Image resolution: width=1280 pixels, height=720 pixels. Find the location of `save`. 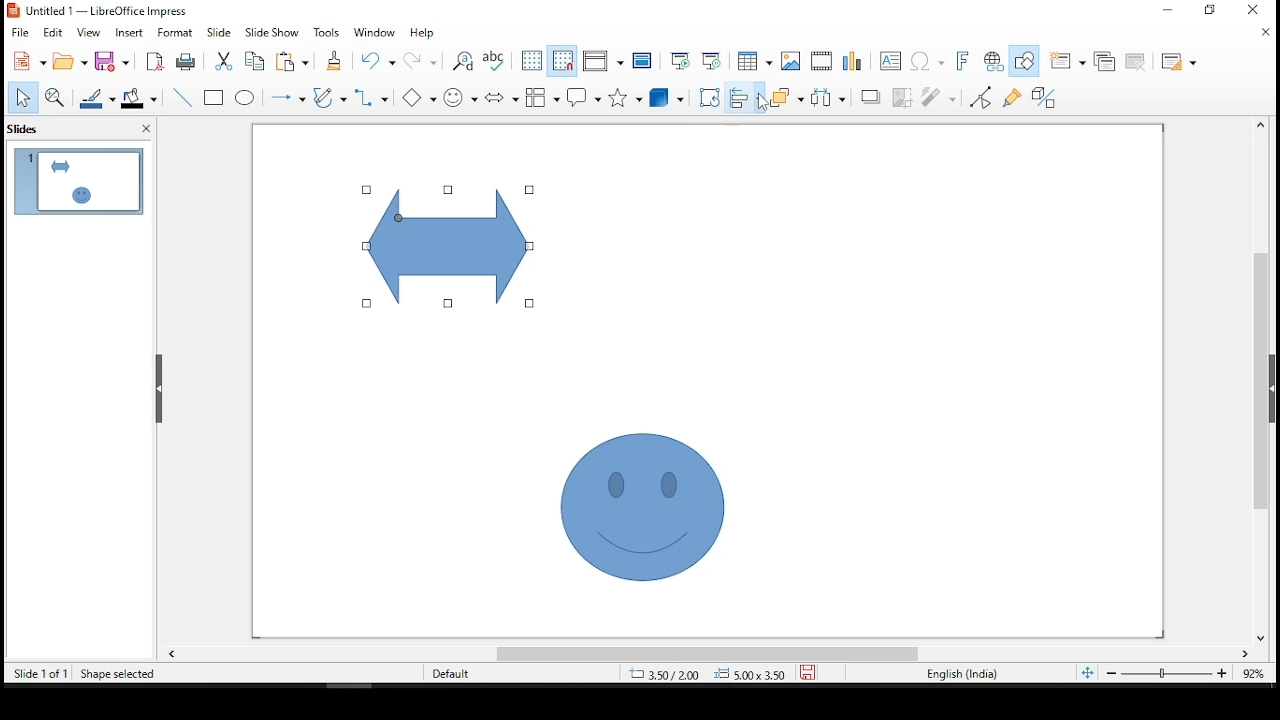

save is located at coordinates (114, 62).